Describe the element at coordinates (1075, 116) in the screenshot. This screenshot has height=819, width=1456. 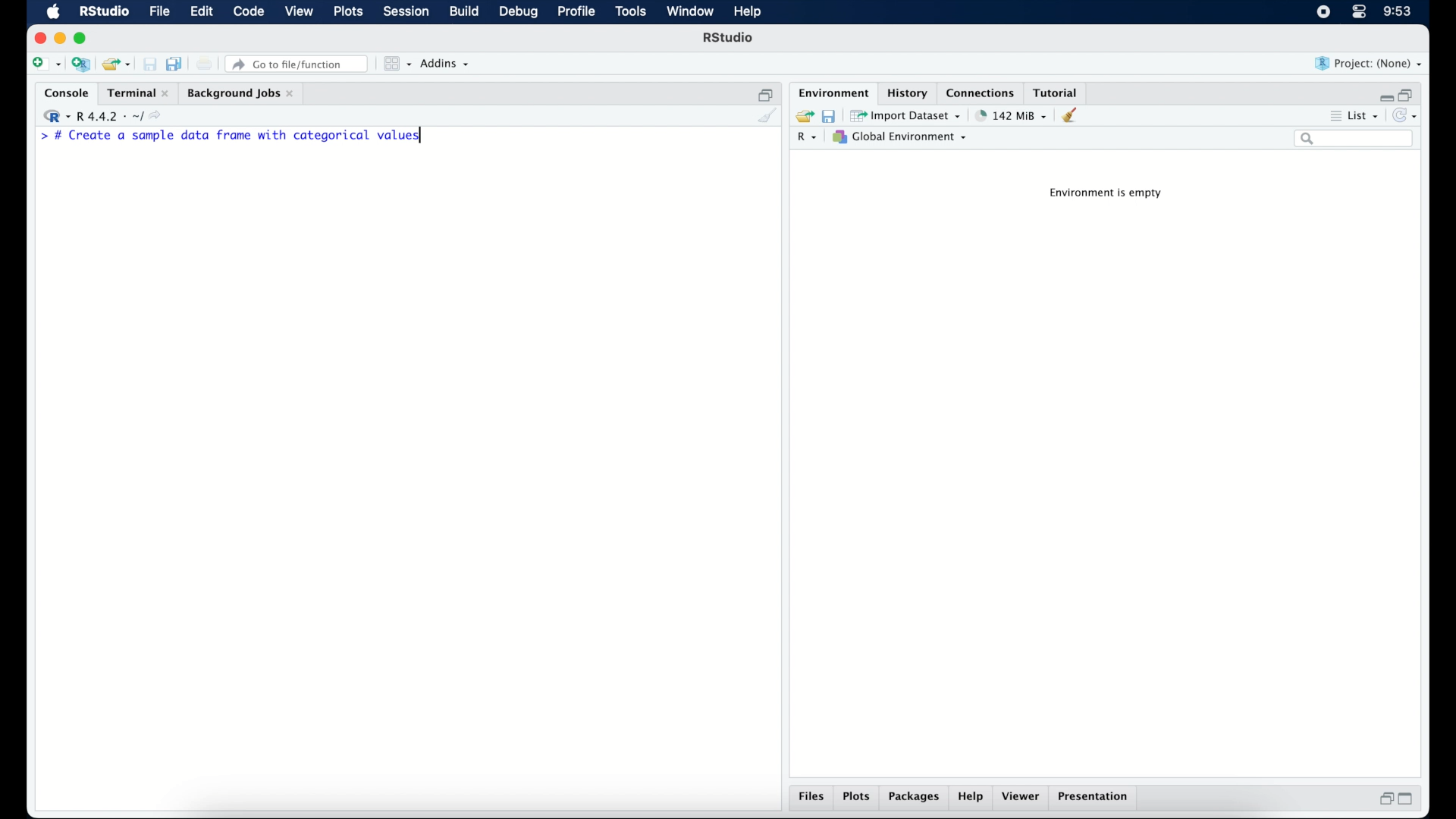
I see `clear` at that location.